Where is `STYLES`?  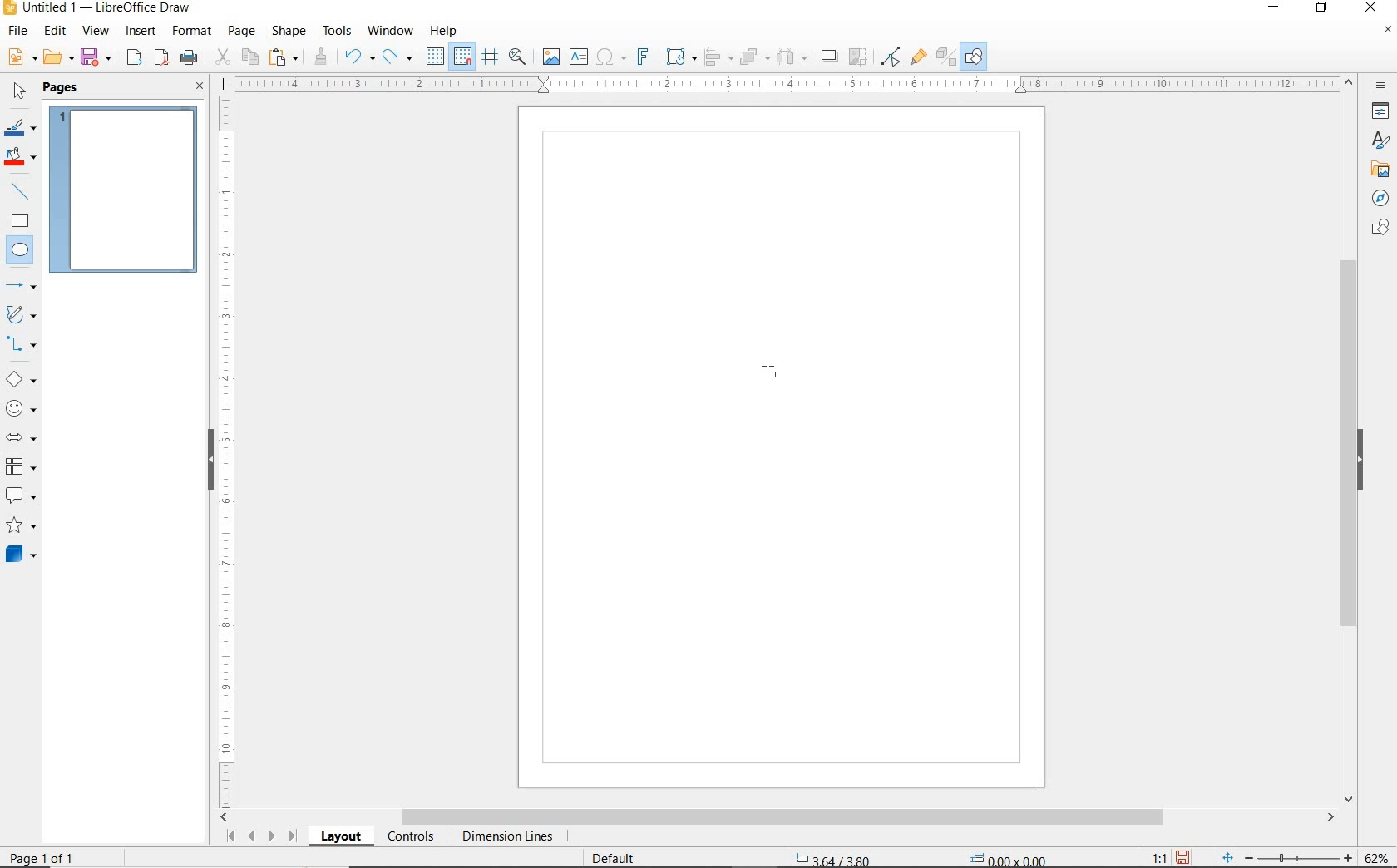 STYLES is located at coordinates (1376, 143).